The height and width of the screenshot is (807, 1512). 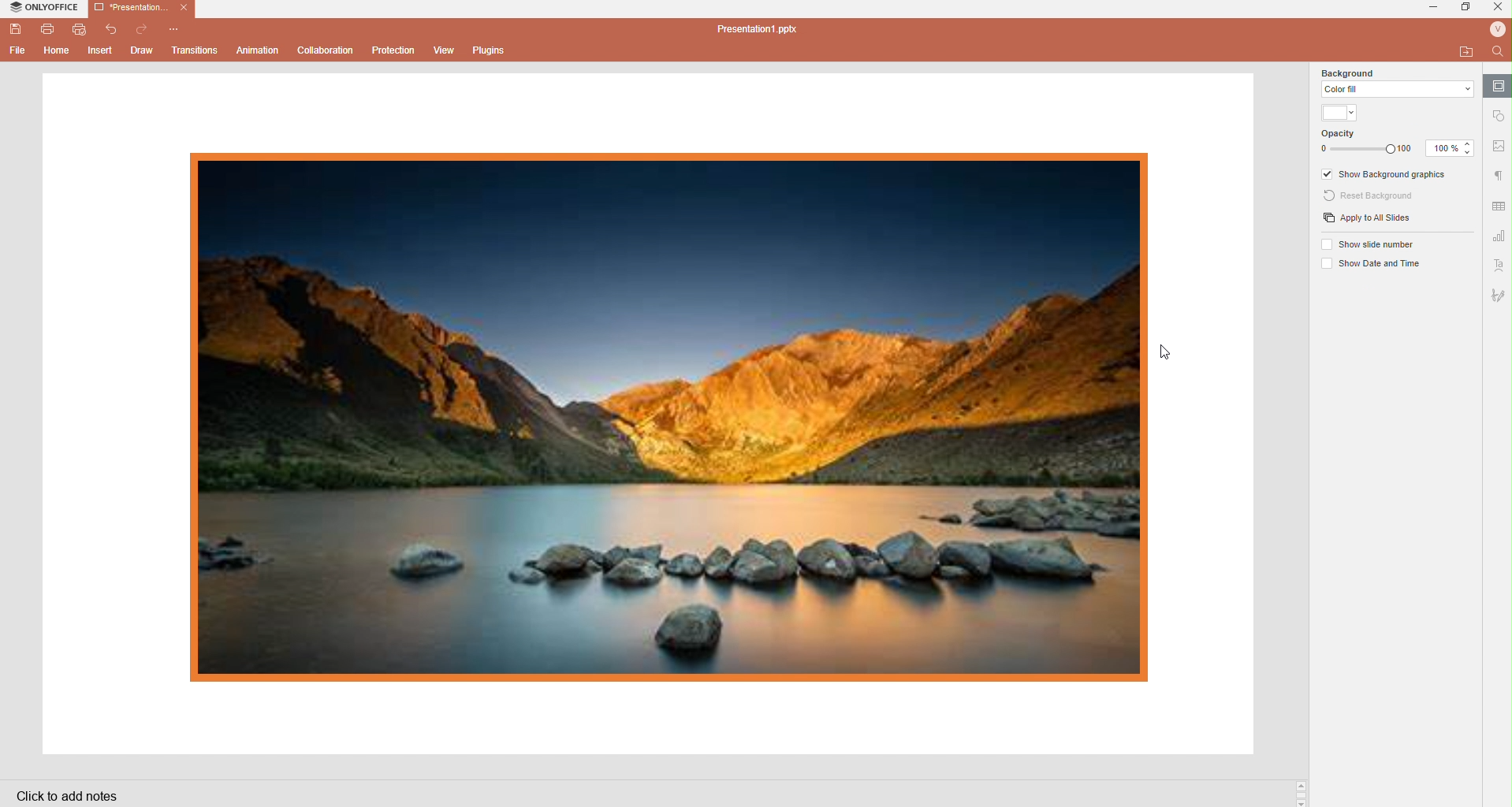 What do you see at coordinates (176, 28) in the screenshot?
I see `Customize quick access toolbar` at bounding box center [176, 28].